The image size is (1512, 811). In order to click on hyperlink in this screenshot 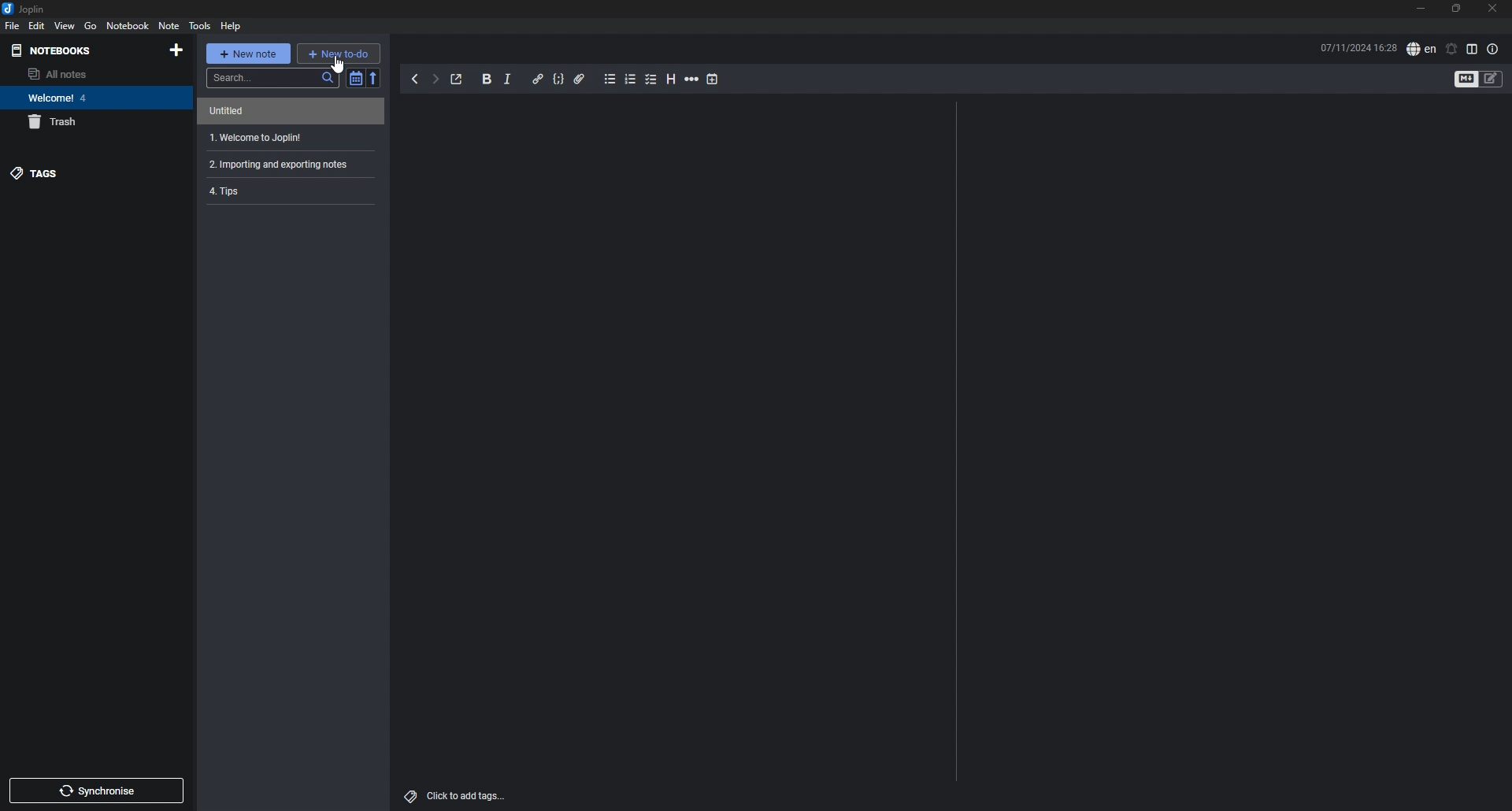, I will do `click(539, 79)`.